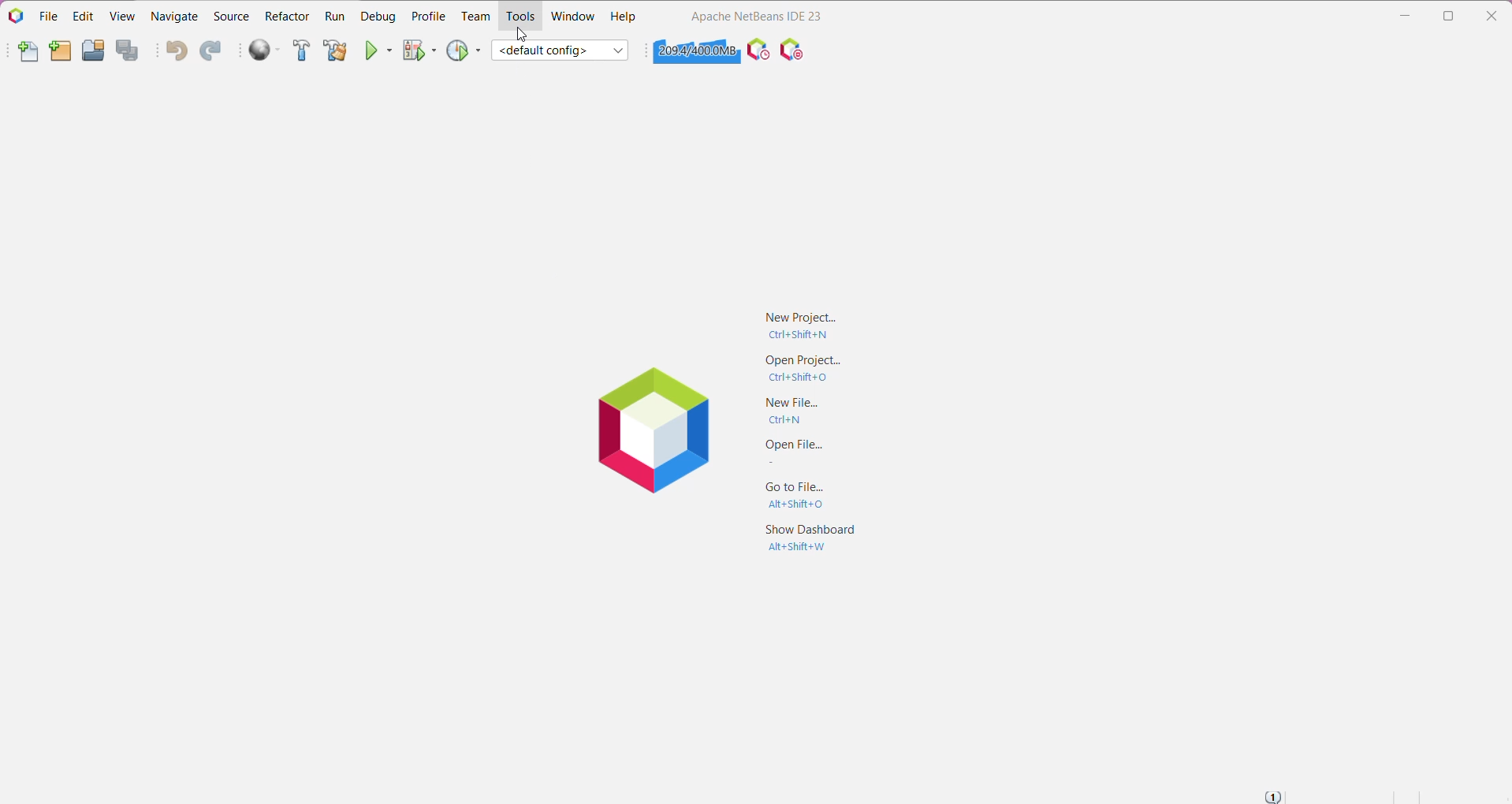  What do you see at coordinates (811, 541) in the screenshot?
I see `Show Dashboard` at bounding box center [811, 541].